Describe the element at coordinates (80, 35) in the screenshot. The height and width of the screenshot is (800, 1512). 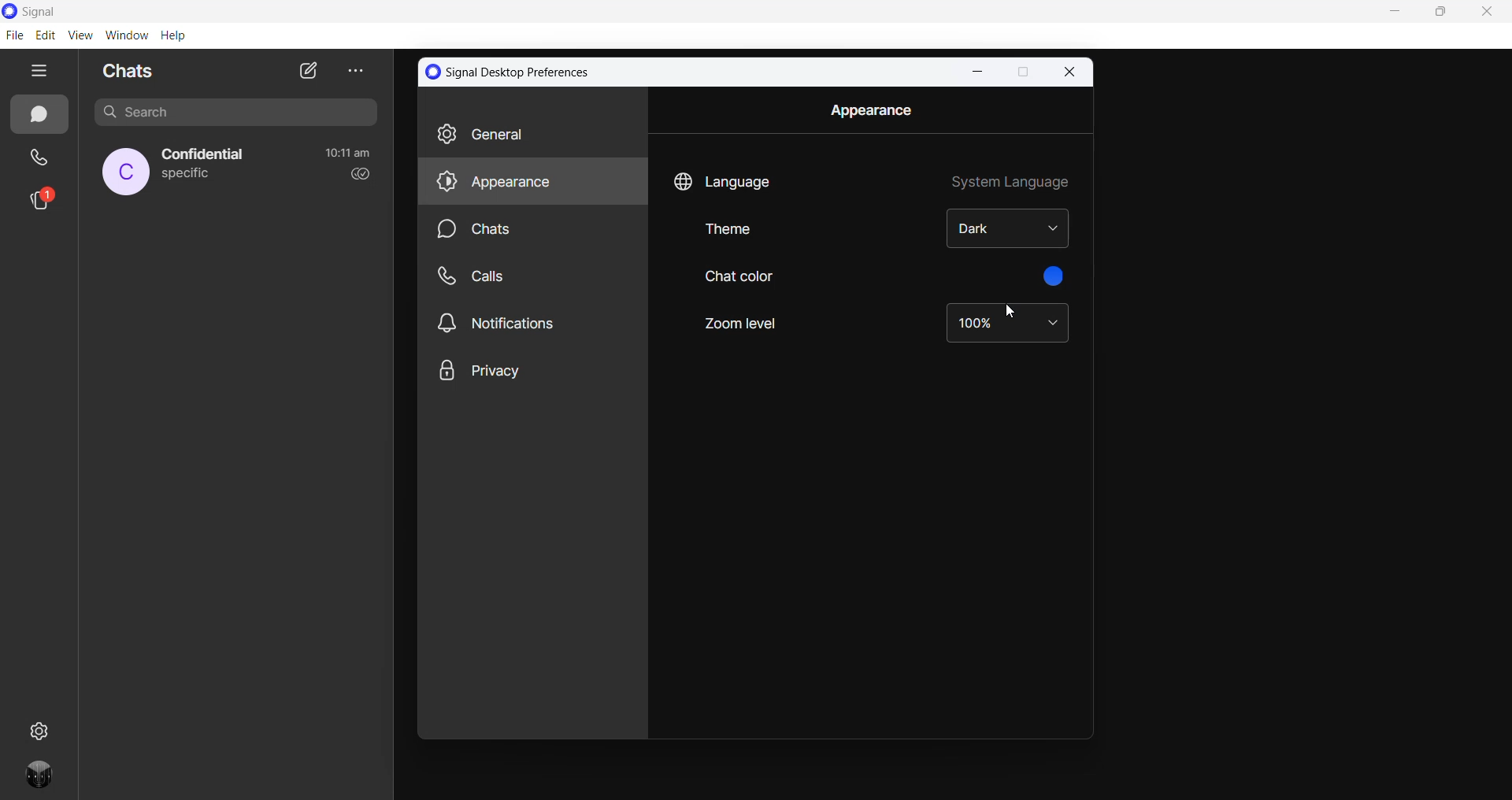
I see `view` at that location.